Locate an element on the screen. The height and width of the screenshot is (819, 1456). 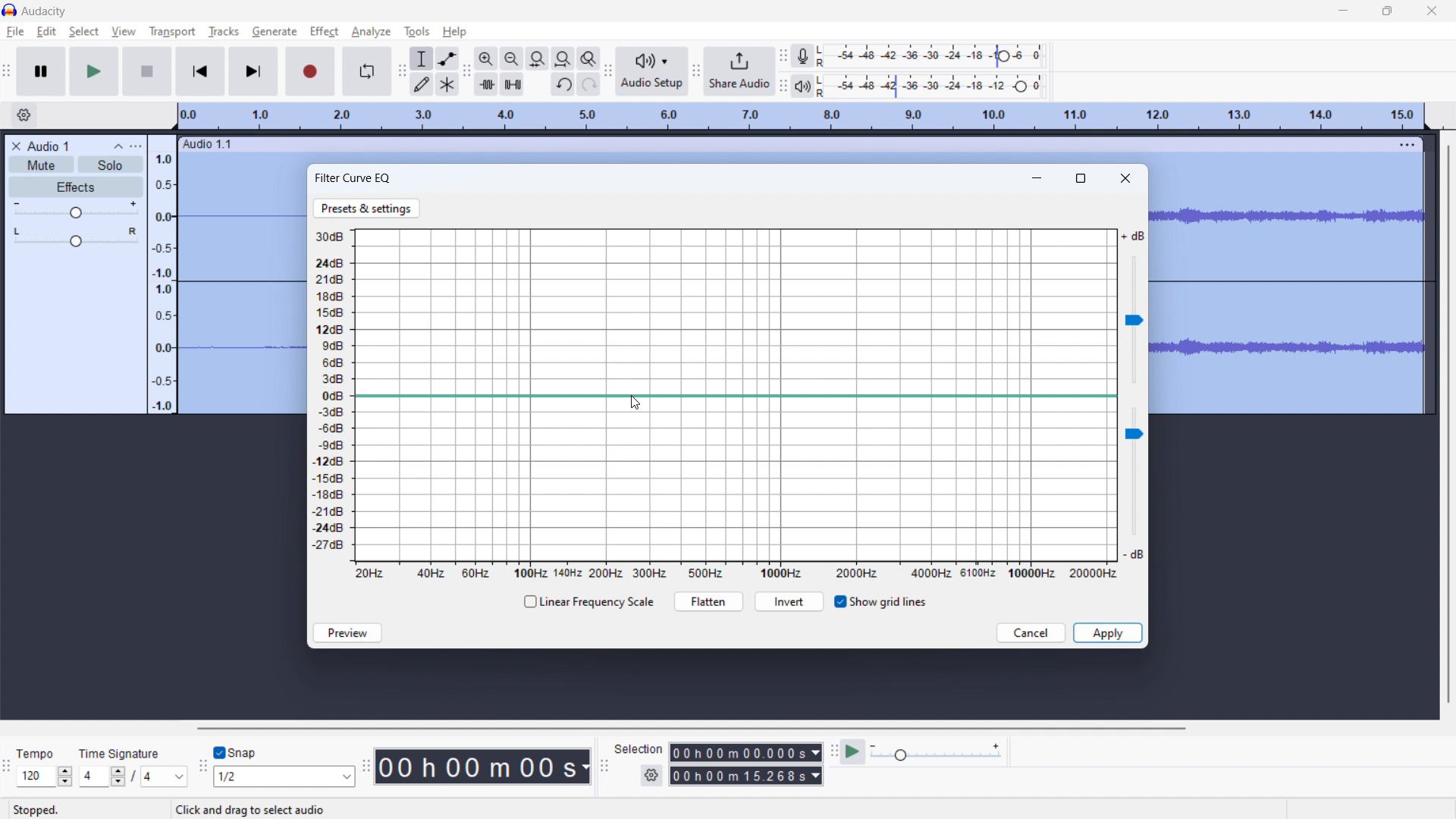
1/2 (select snapping) is located at coordinates (285, 776).